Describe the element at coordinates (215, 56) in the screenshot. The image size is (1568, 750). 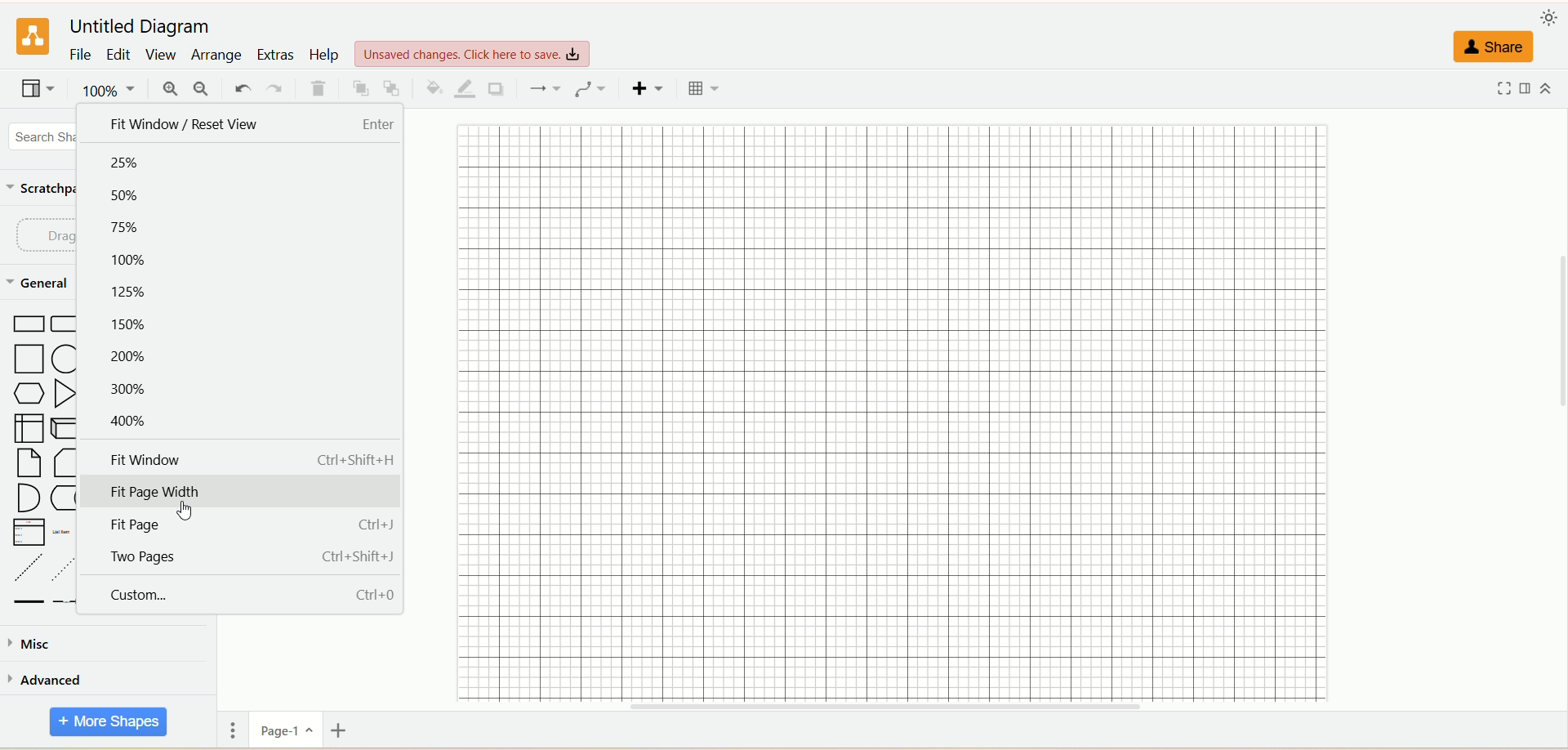
I see `arrange` at that location.